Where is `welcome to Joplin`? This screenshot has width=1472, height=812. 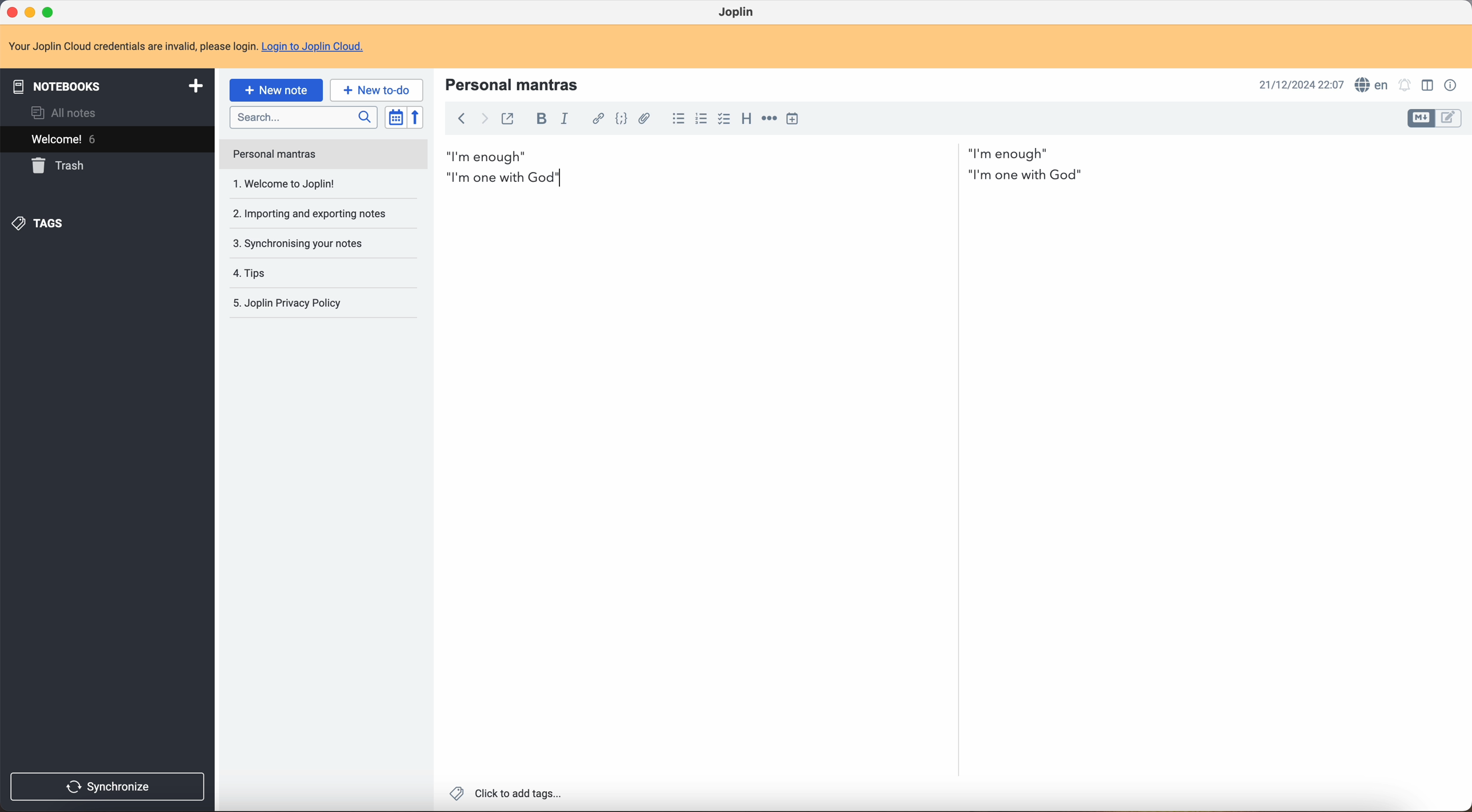 welcome to Joplin is located at coordinates (287, 155).